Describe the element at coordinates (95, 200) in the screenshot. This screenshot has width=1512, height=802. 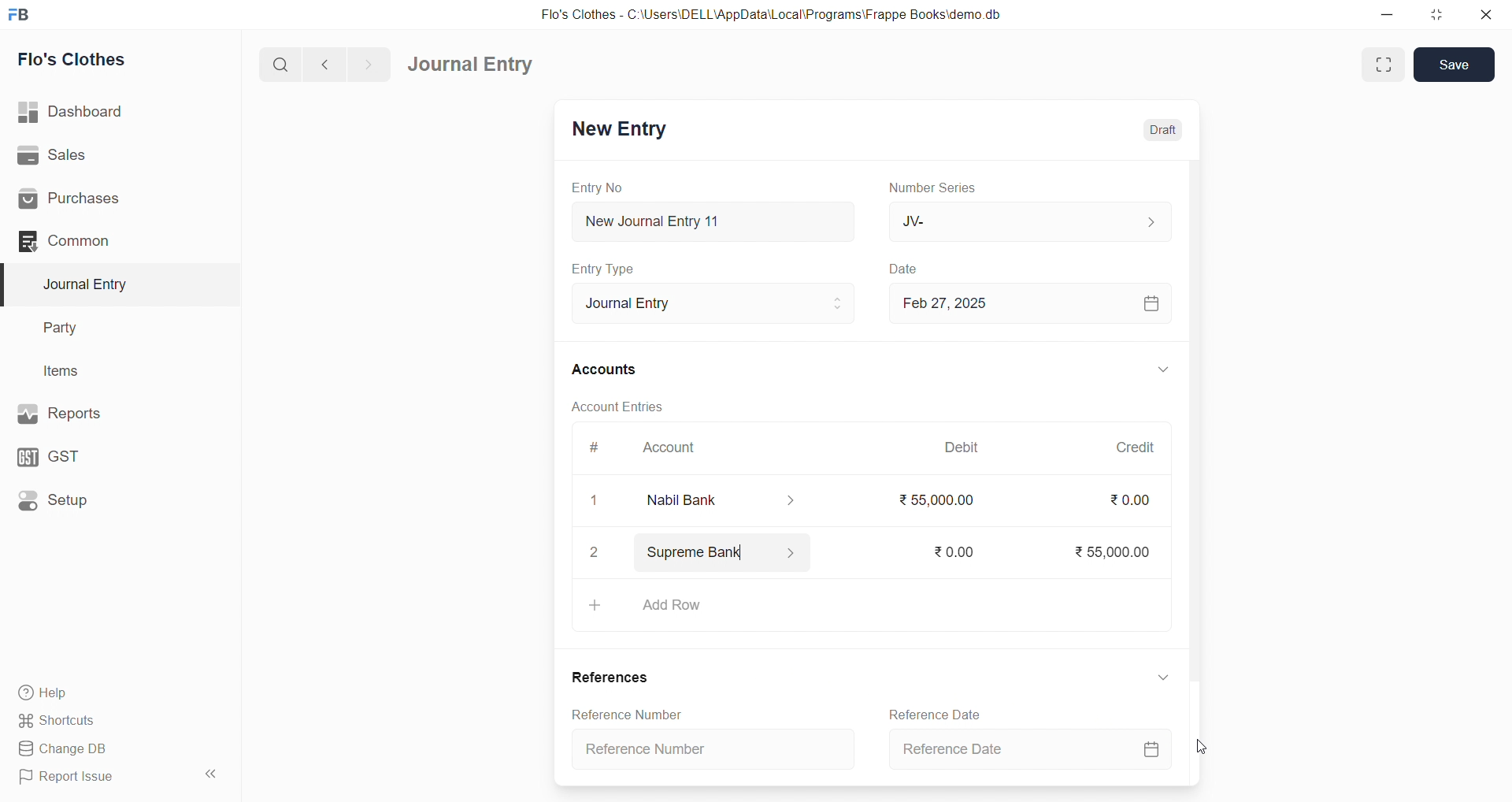
I see `Purchases` at that location.